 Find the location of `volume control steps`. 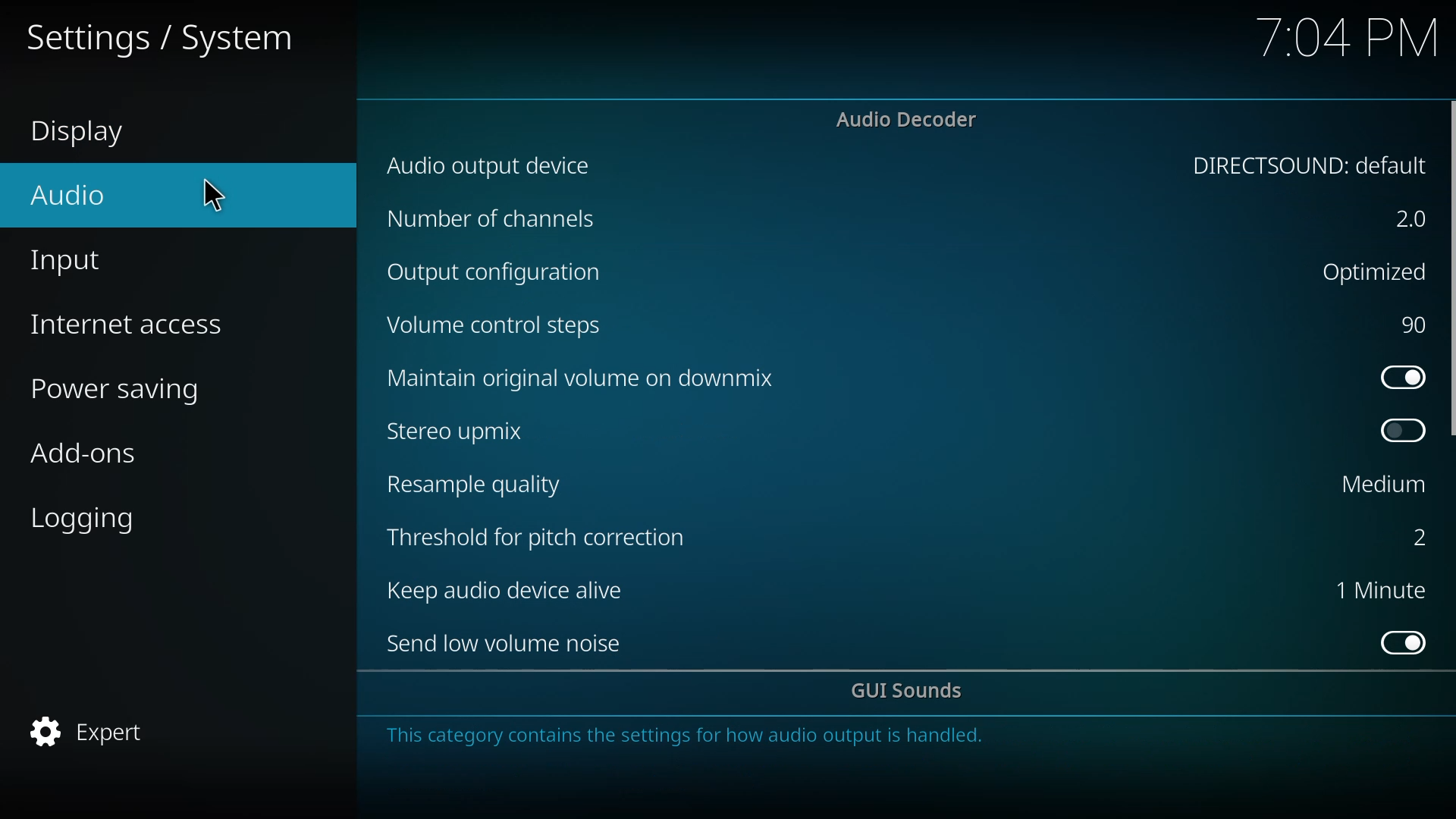

volume control steps is located at coordinates (497, 326).